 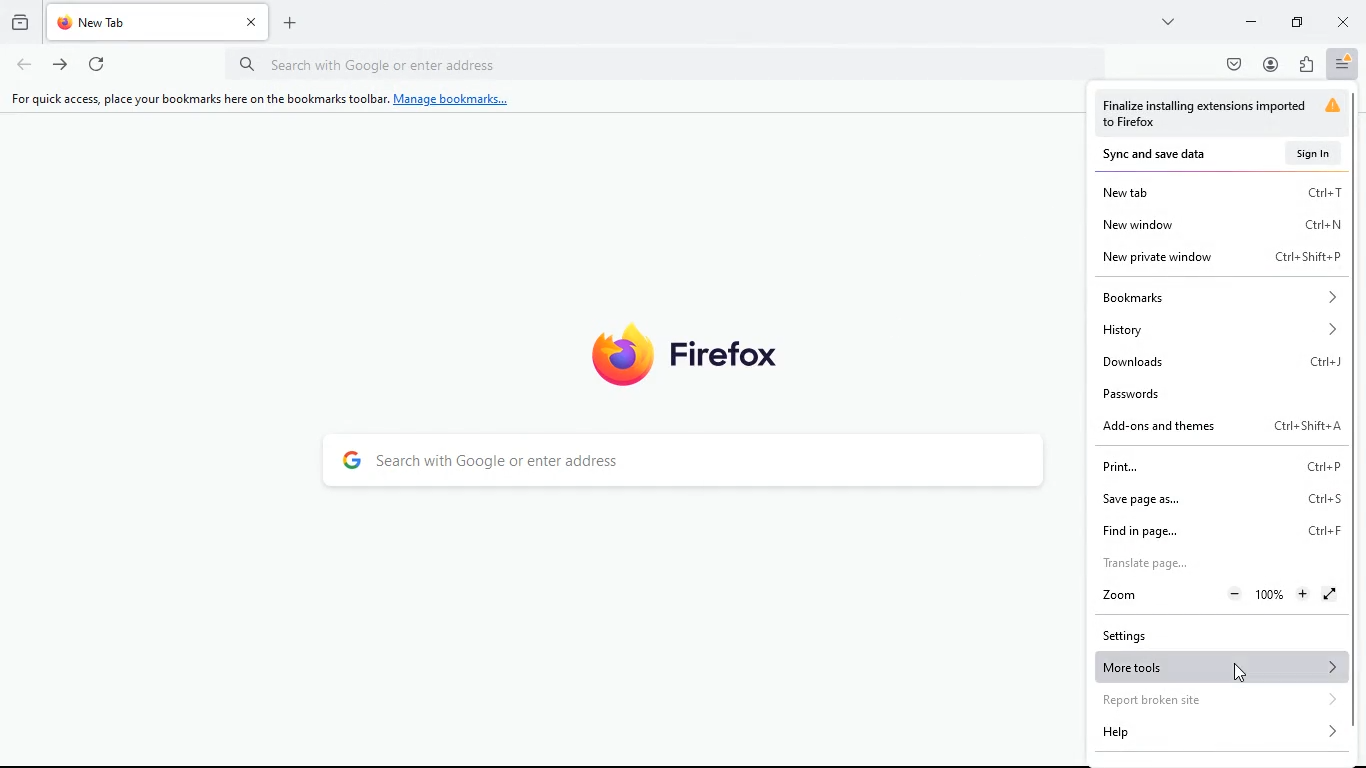 What do you see at coordinates (1219, 734) in the screenshot?
I see `help` at bounding box center [1219, 734].